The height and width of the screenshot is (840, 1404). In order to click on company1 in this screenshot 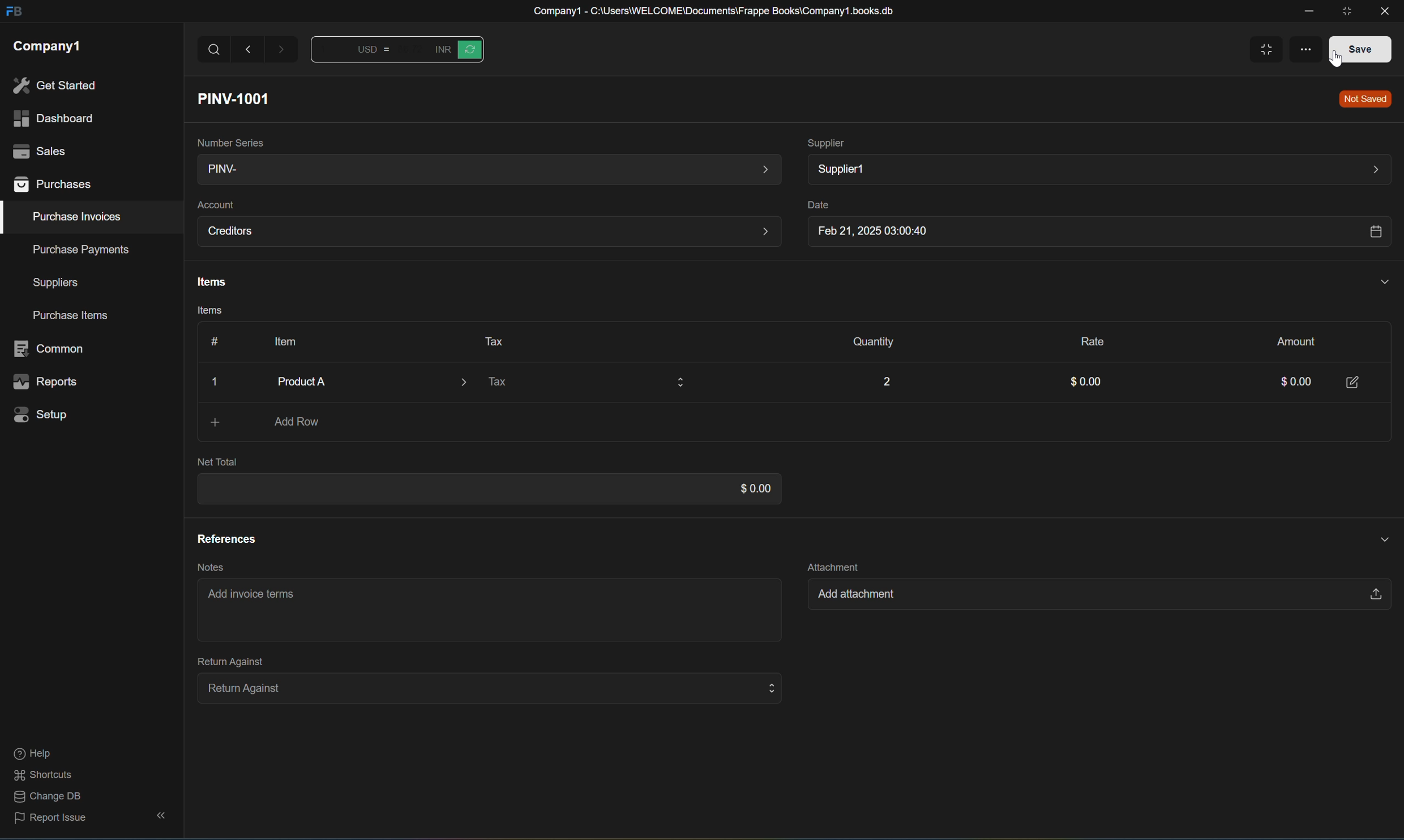, I will do `click(47, 45)`.